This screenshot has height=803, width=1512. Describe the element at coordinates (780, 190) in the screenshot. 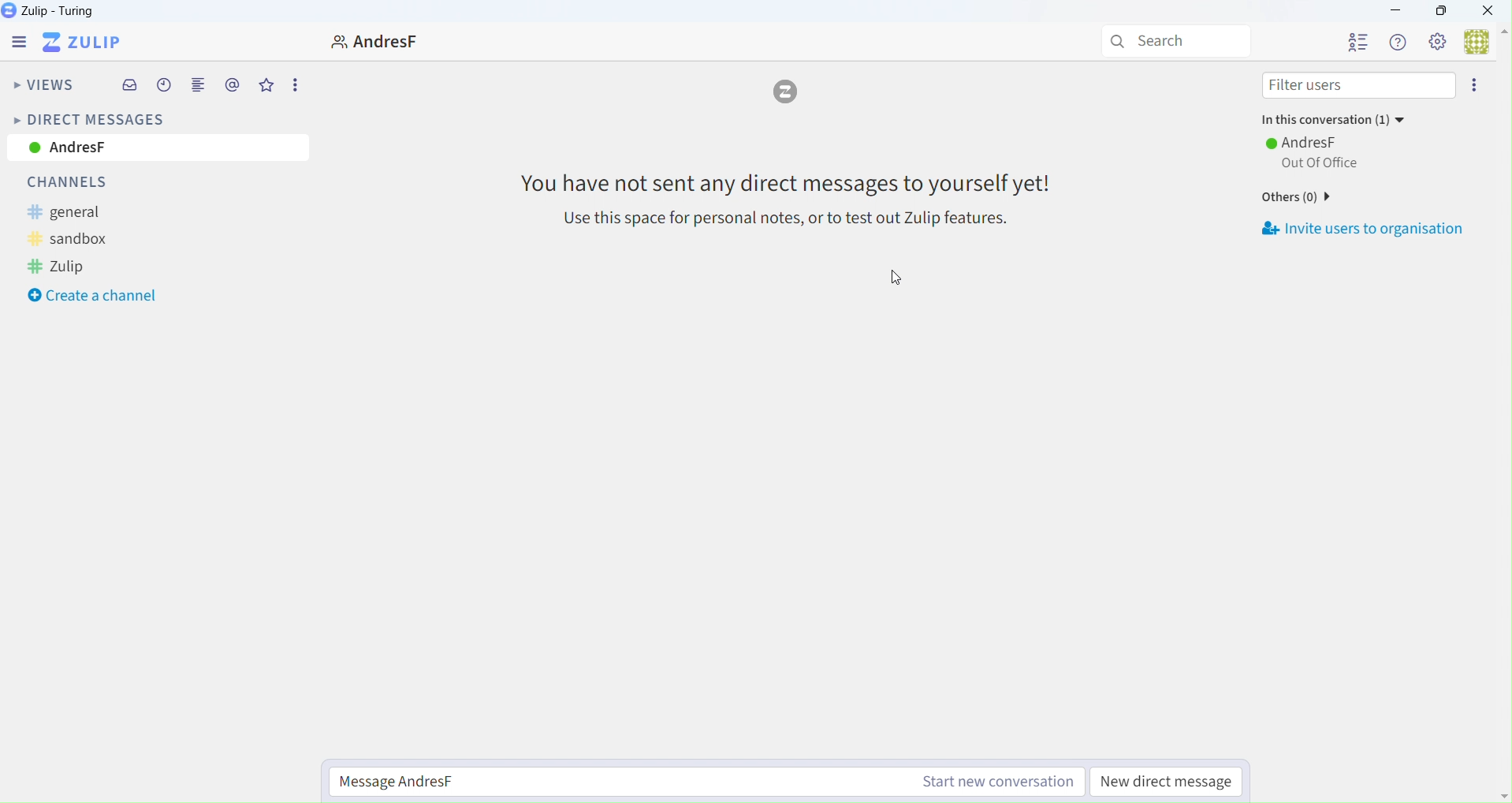

I see `Message` at that location.